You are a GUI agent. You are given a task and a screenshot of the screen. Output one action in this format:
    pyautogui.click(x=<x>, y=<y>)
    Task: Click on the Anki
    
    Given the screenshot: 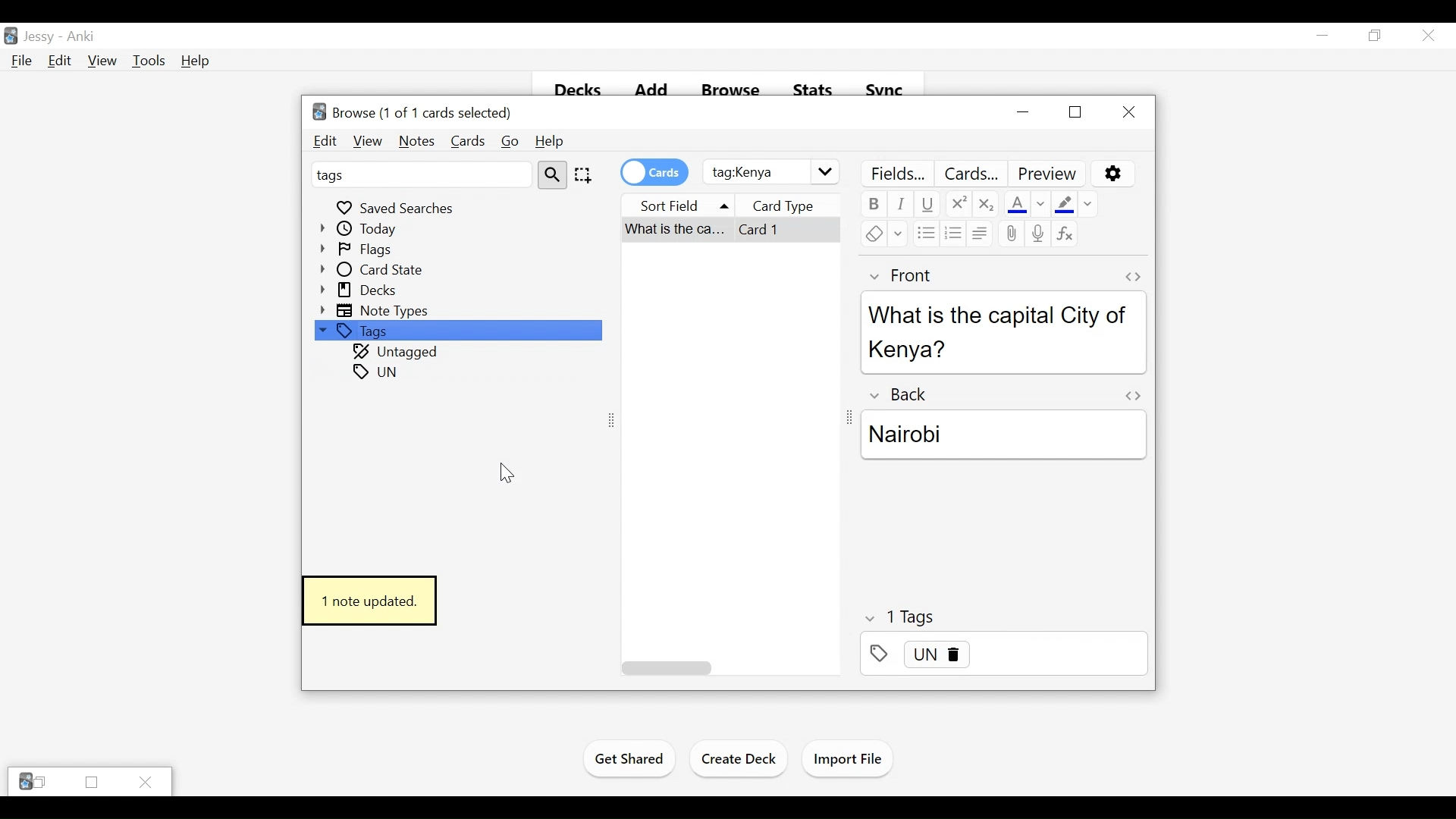 What is the action you would take?
    pyautogui.click(x=80, y=37)
    